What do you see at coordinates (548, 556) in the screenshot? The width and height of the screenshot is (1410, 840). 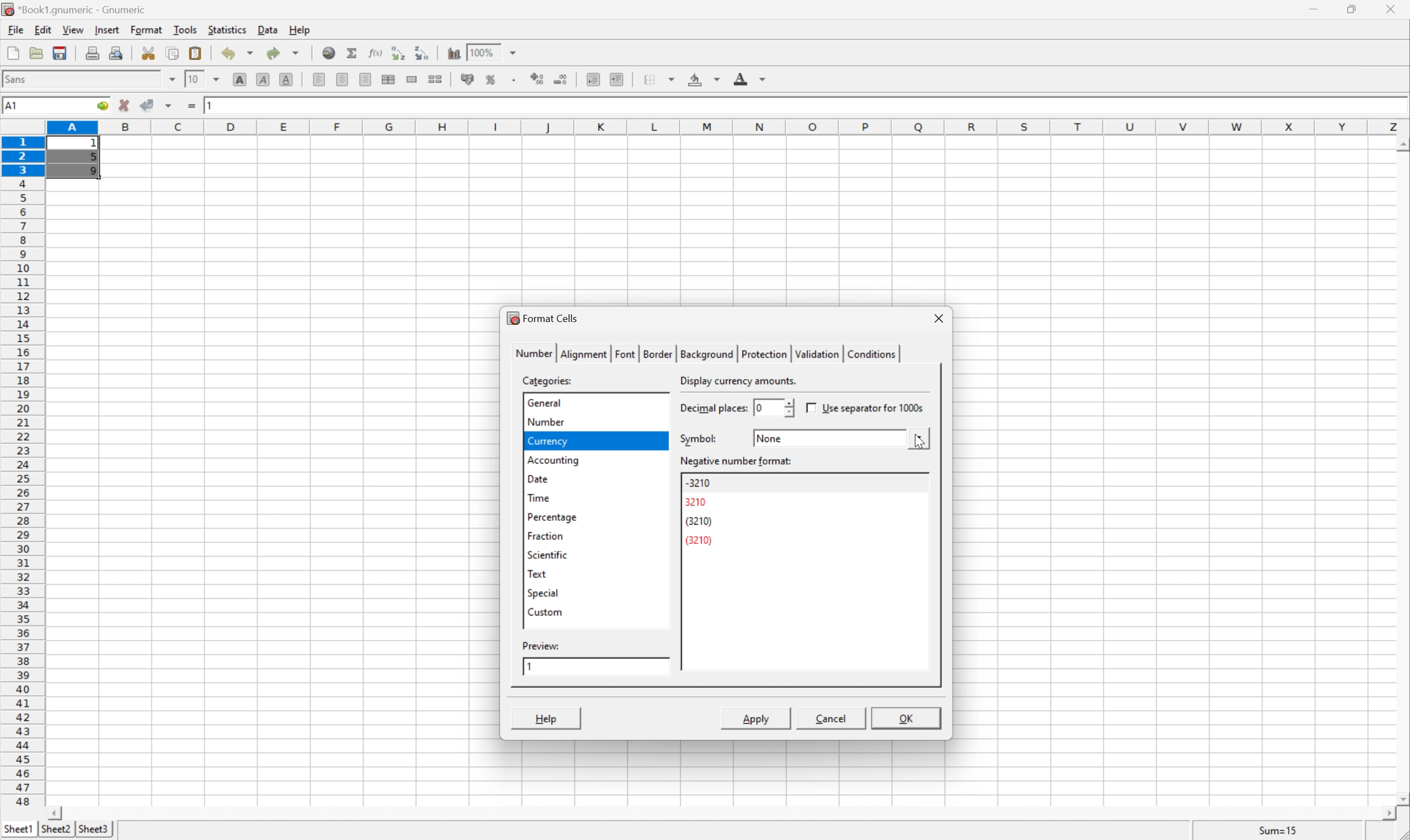 I see `scientific` at bounding box center [548, 556].